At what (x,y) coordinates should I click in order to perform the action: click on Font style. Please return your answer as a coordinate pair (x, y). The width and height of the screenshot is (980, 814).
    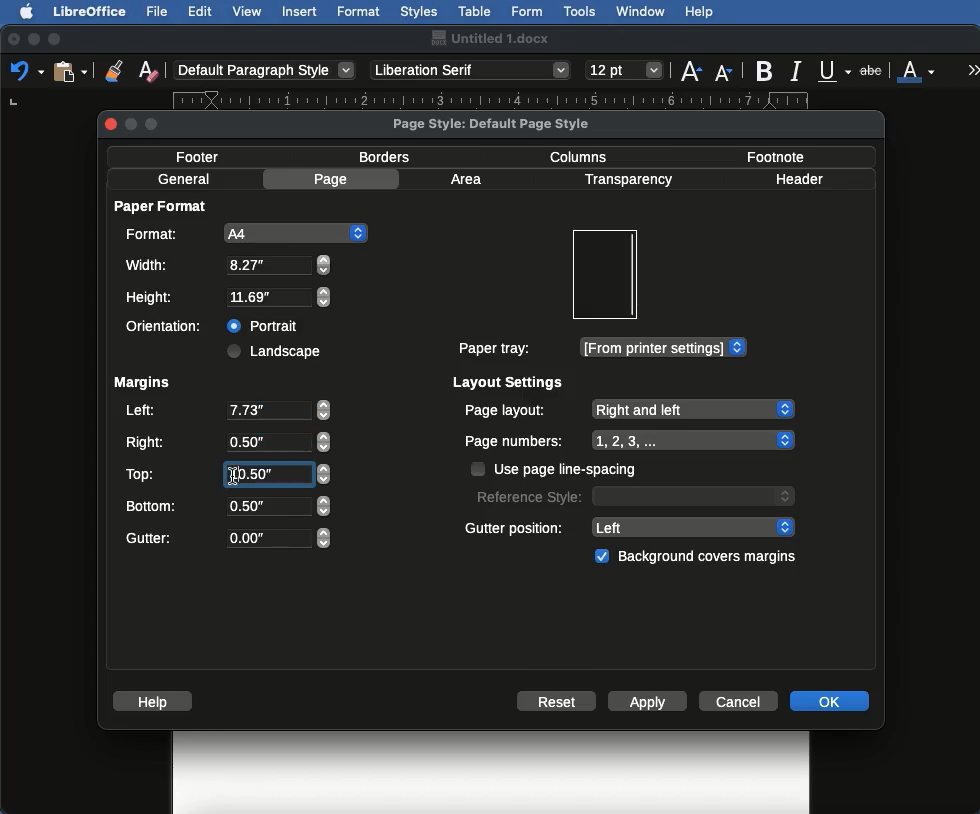
    Looking at the image, I should click on (472, 70).